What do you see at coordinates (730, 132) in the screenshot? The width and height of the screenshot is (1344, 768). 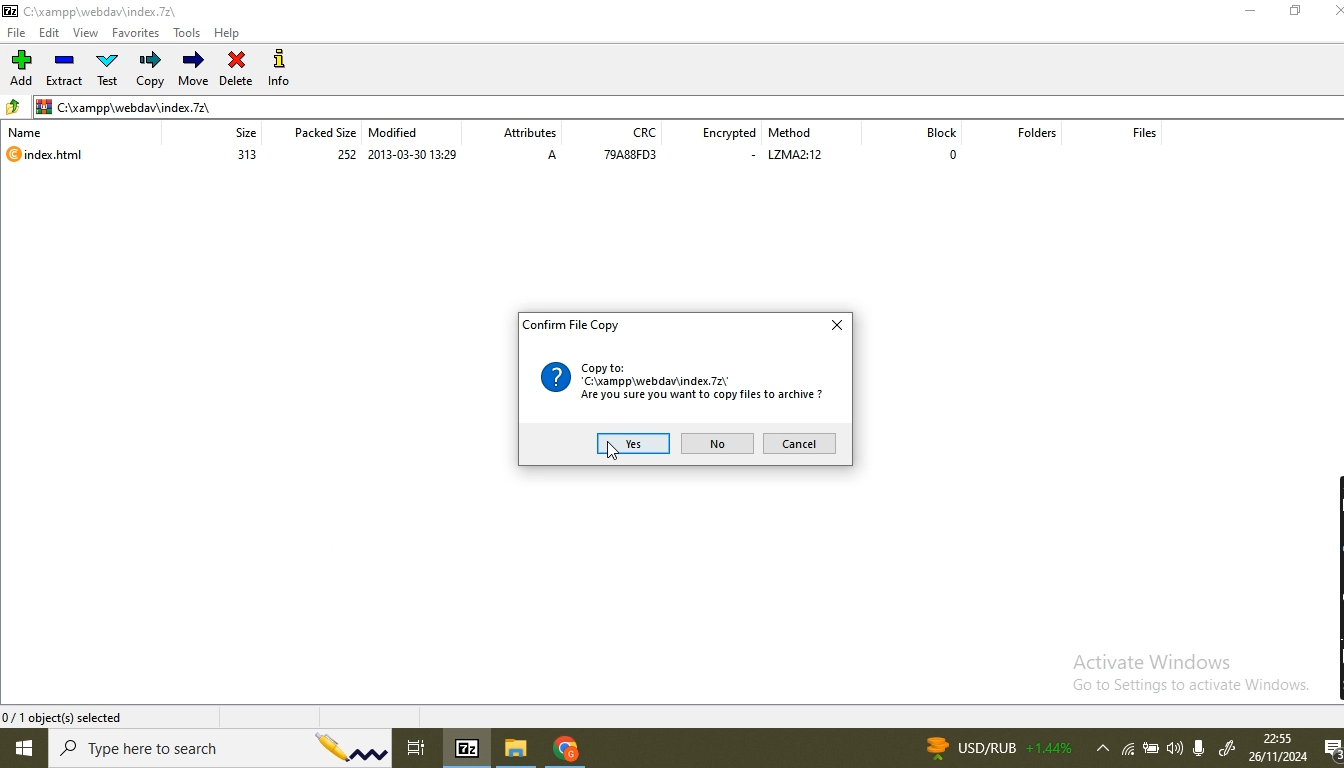 I see `encrypted` at bounding box center [730, 132].